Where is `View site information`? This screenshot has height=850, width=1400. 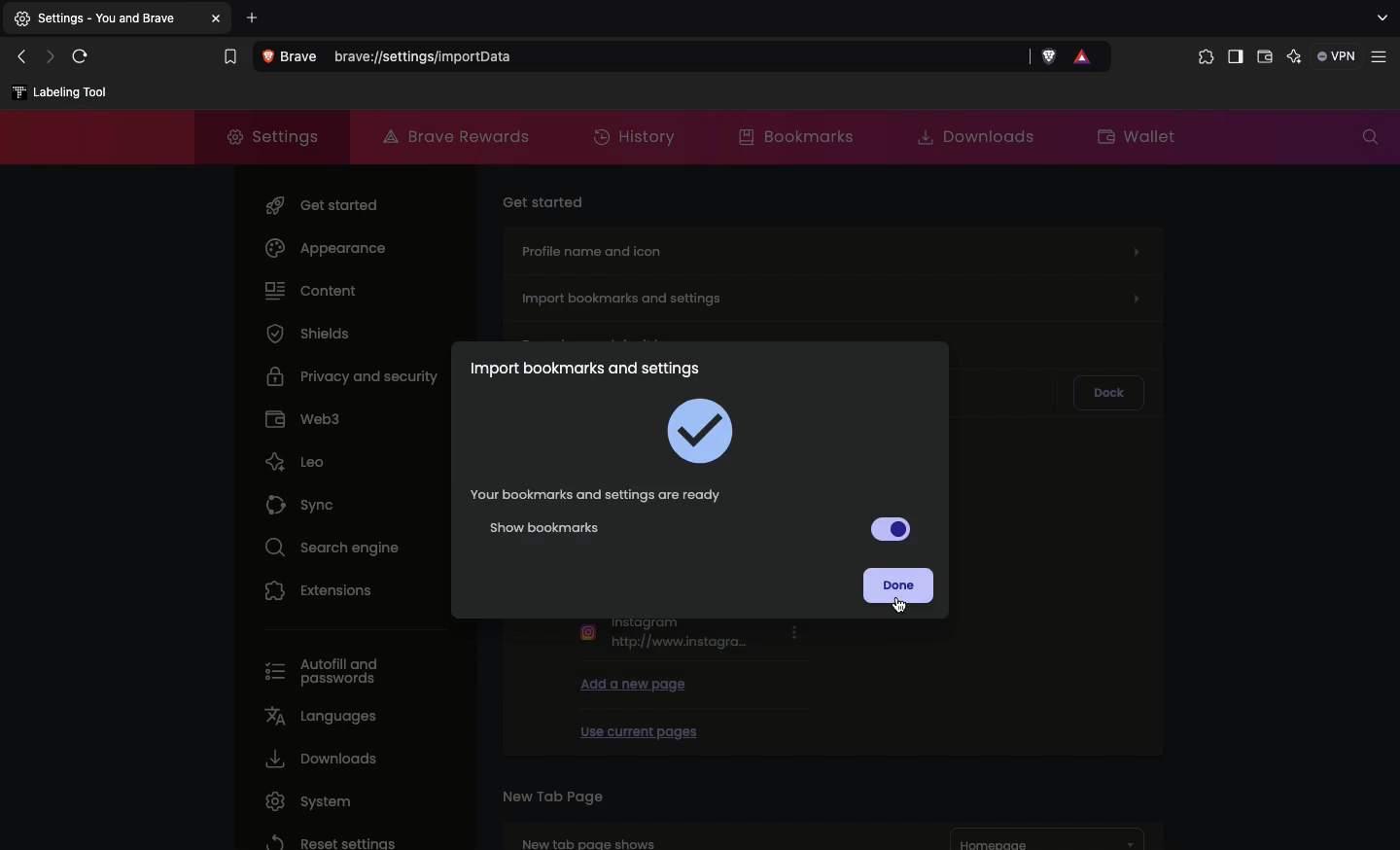
View site information is located at coordinates (294, 57).